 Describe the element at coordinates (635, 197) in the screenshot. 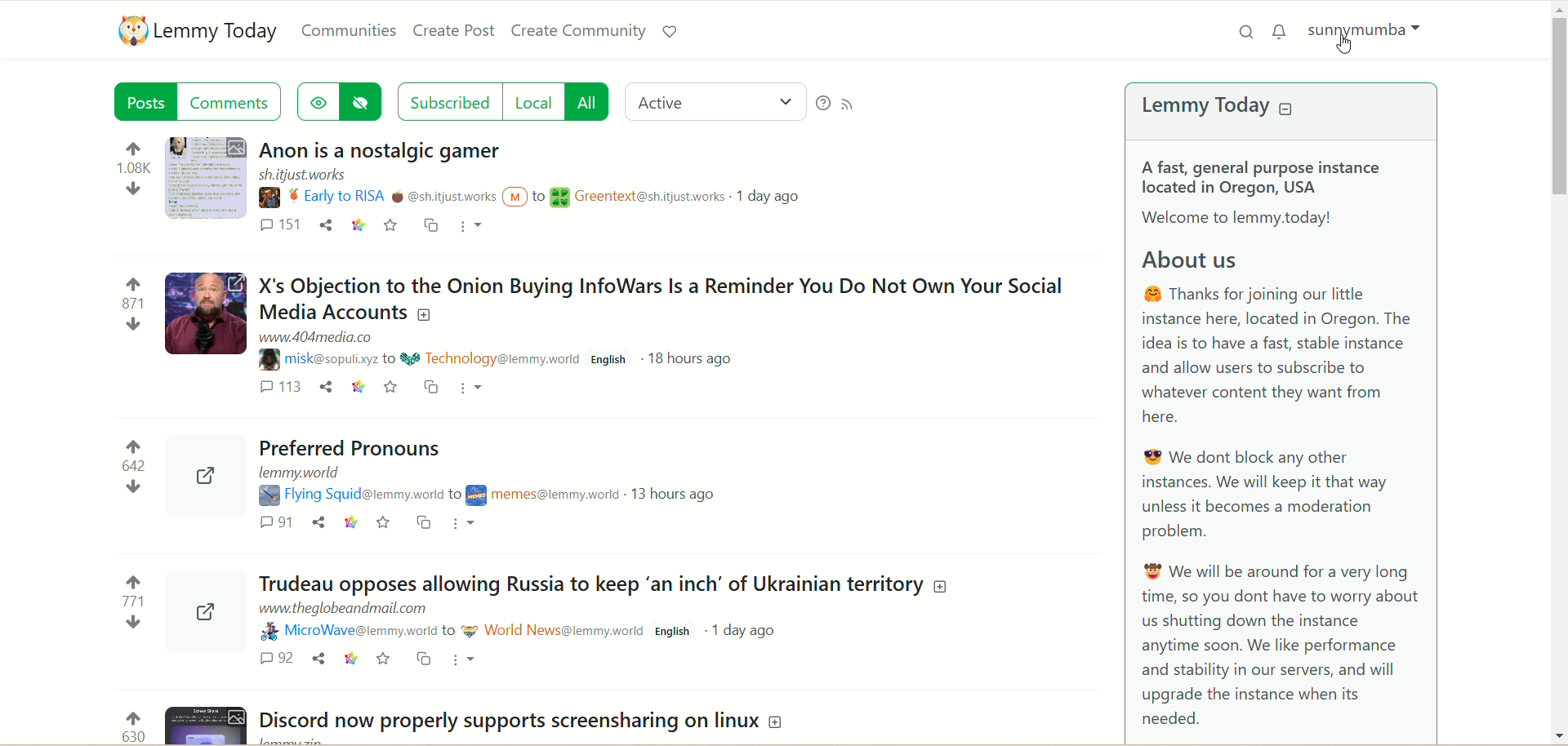

I see `Community` at that location.